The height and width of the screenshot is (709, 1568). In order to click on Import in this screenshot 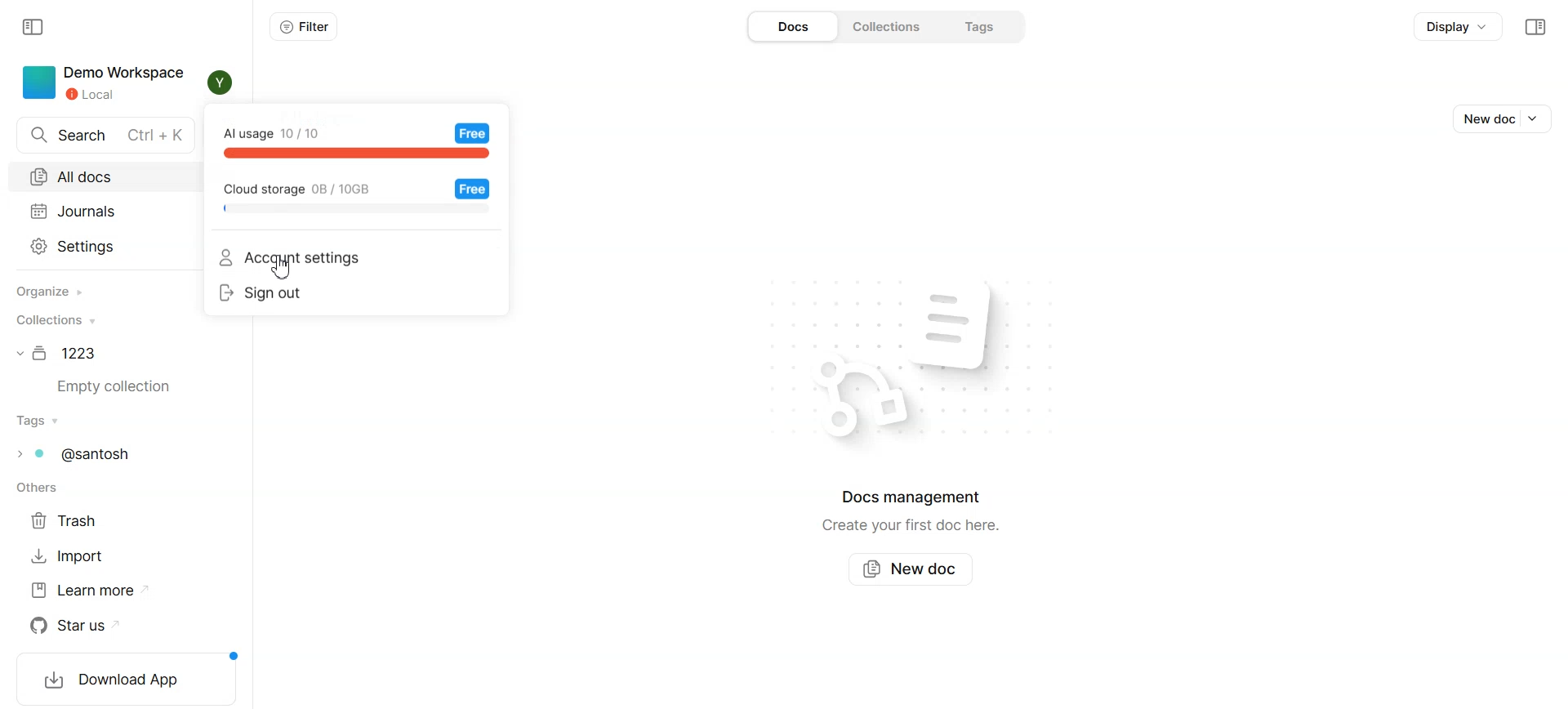, I will do `click(75, 555)`.